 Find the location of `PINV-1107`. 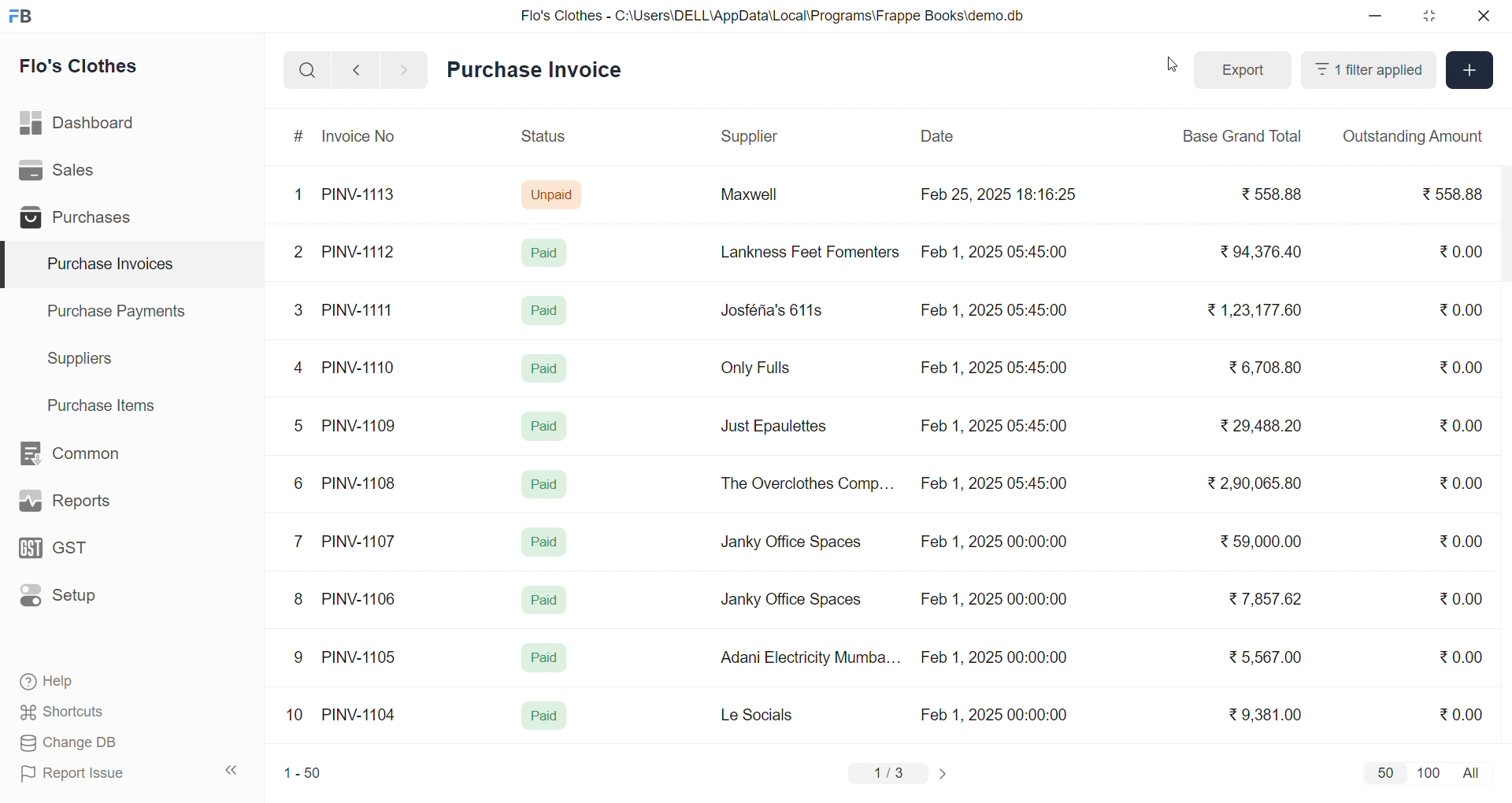

PINV-1107 is located at coordinates (362, 542).